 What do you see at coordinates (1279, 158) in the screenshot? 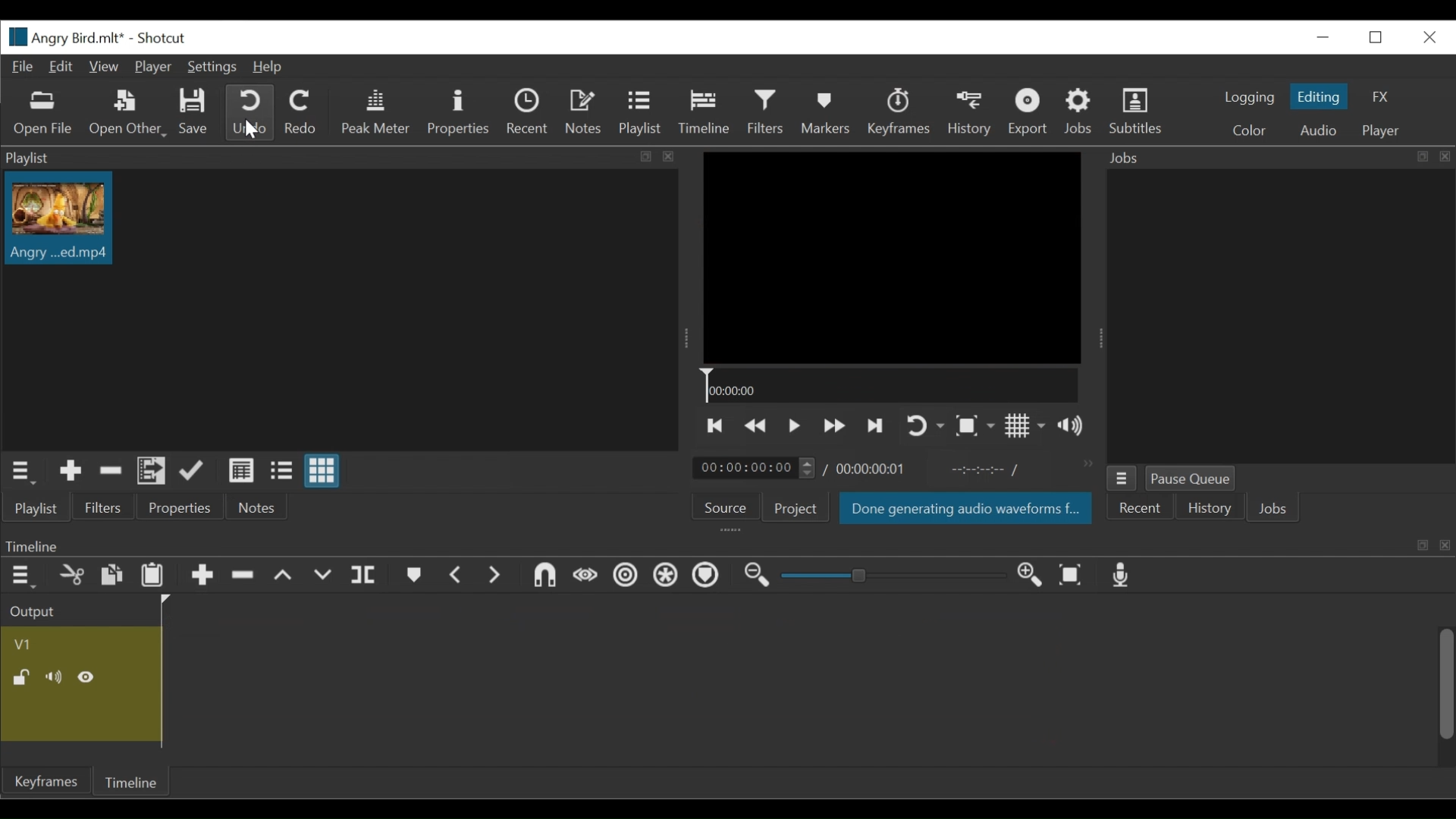
I see `Jobs Panel` at bounding box center [1279, 158].